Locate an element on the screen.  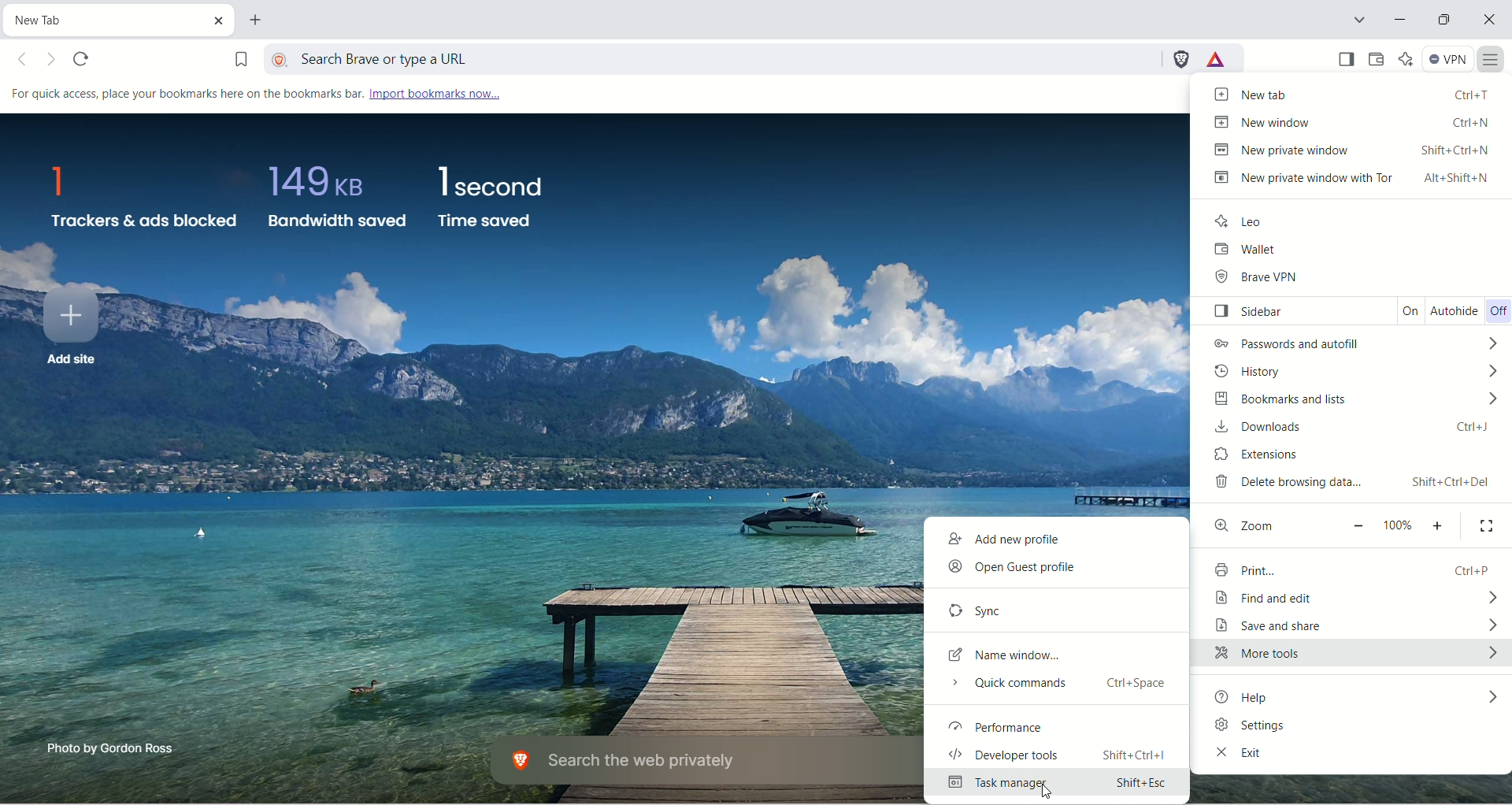
go forward is located at coordinates (54, 61).